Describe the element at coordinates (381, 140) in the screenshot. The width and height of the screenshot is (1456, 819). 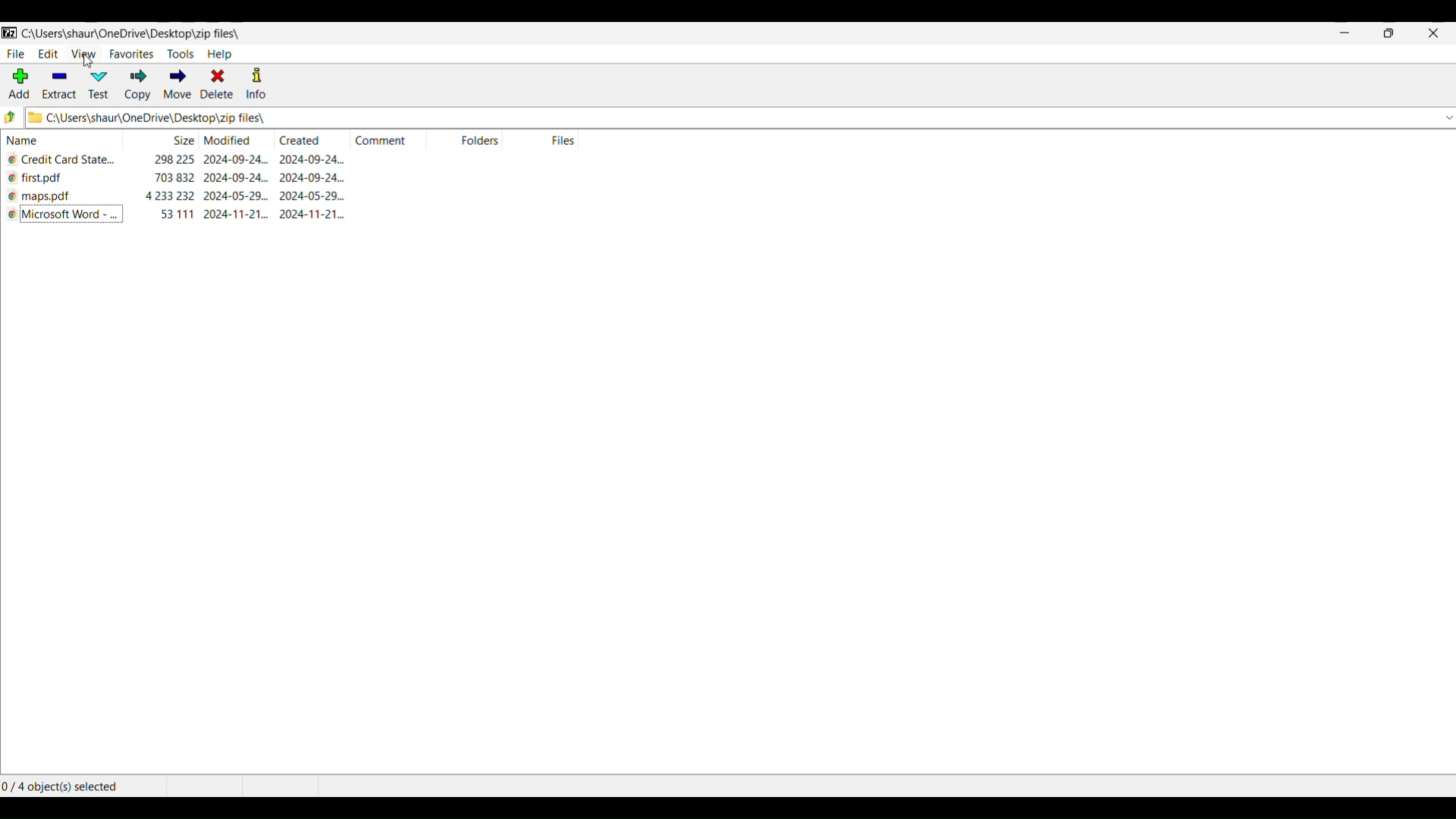
I see `comment` at that location.